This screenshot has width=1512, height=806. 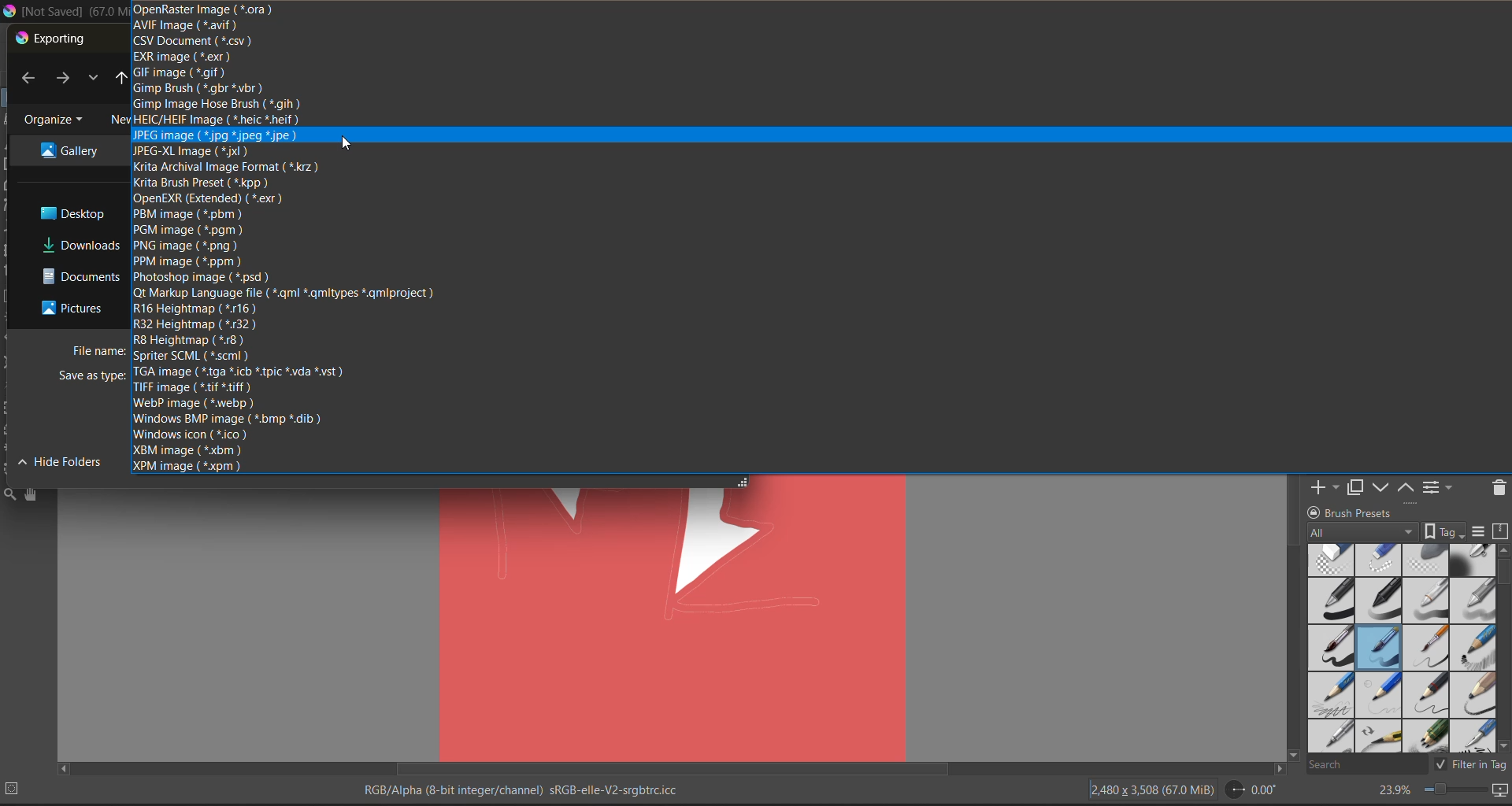 What do you see at coordinates (1502, 532) in the screenshot?
I see `storage resources` at bounding box center [1502, 532].